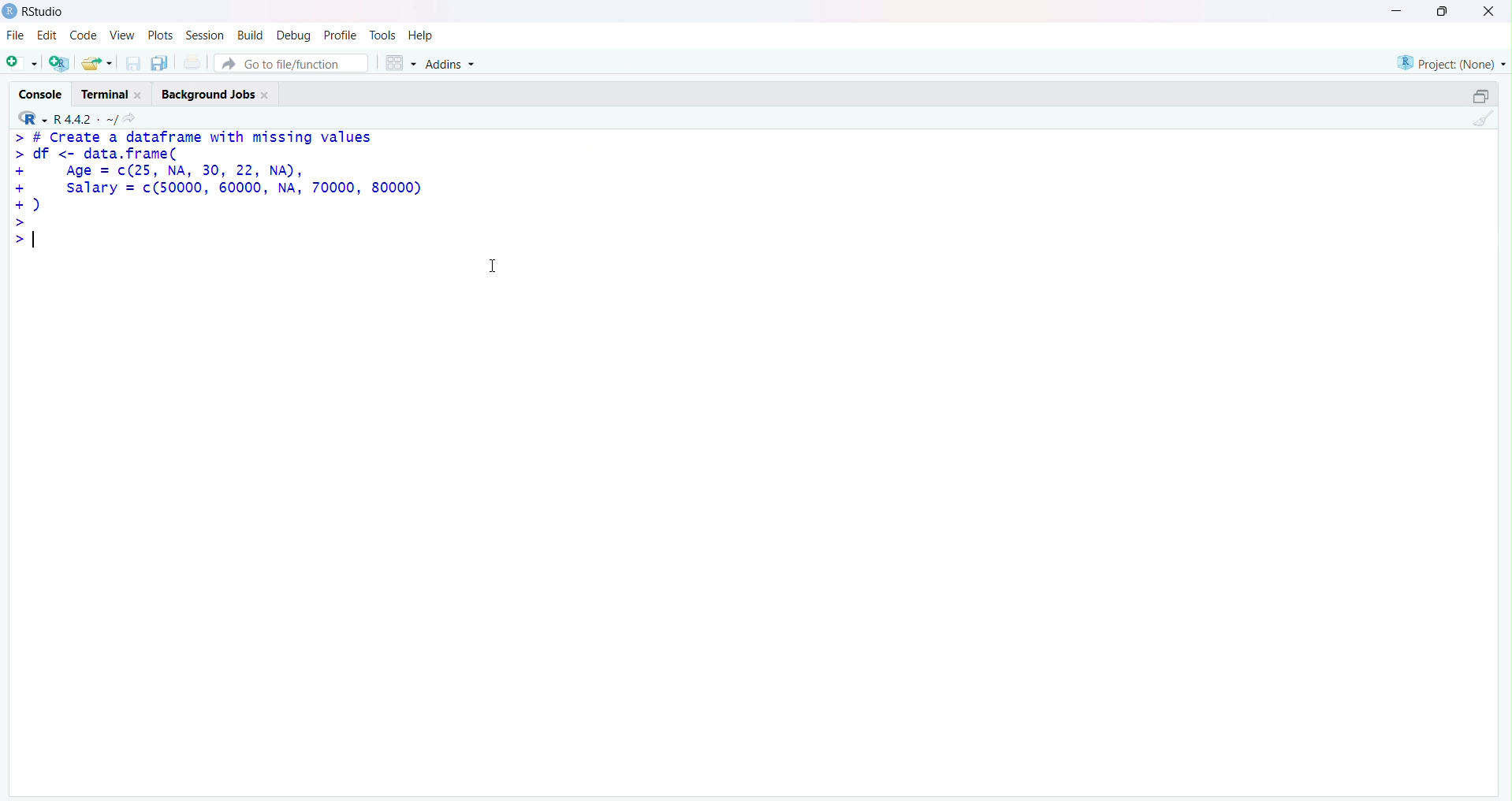  Describe the element at coordinates (1395, 10) in the screenshot. I see `Minimize` at that location.